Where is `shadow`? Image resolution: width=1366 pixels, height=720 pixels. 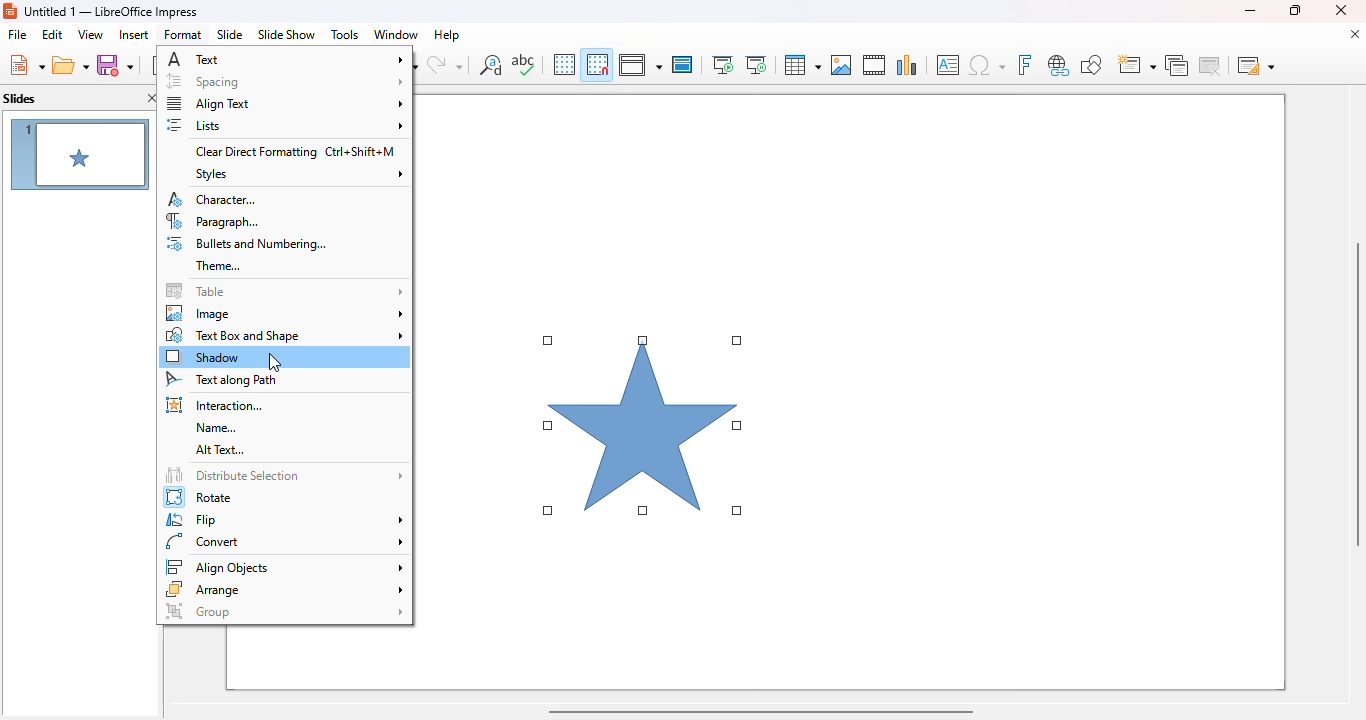 shadow is located at coordinates (204, 357).